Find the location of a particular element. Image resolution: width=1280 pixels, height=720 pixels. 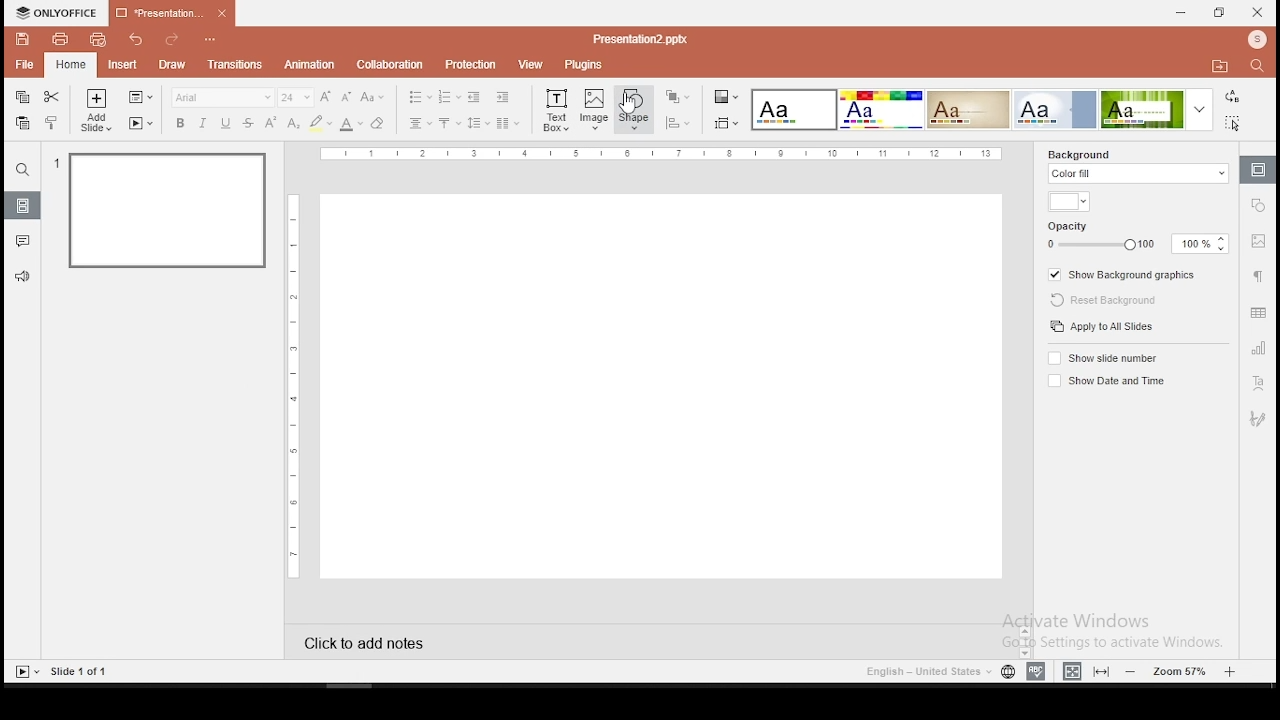

restore is located at coordinates (1220, 13).